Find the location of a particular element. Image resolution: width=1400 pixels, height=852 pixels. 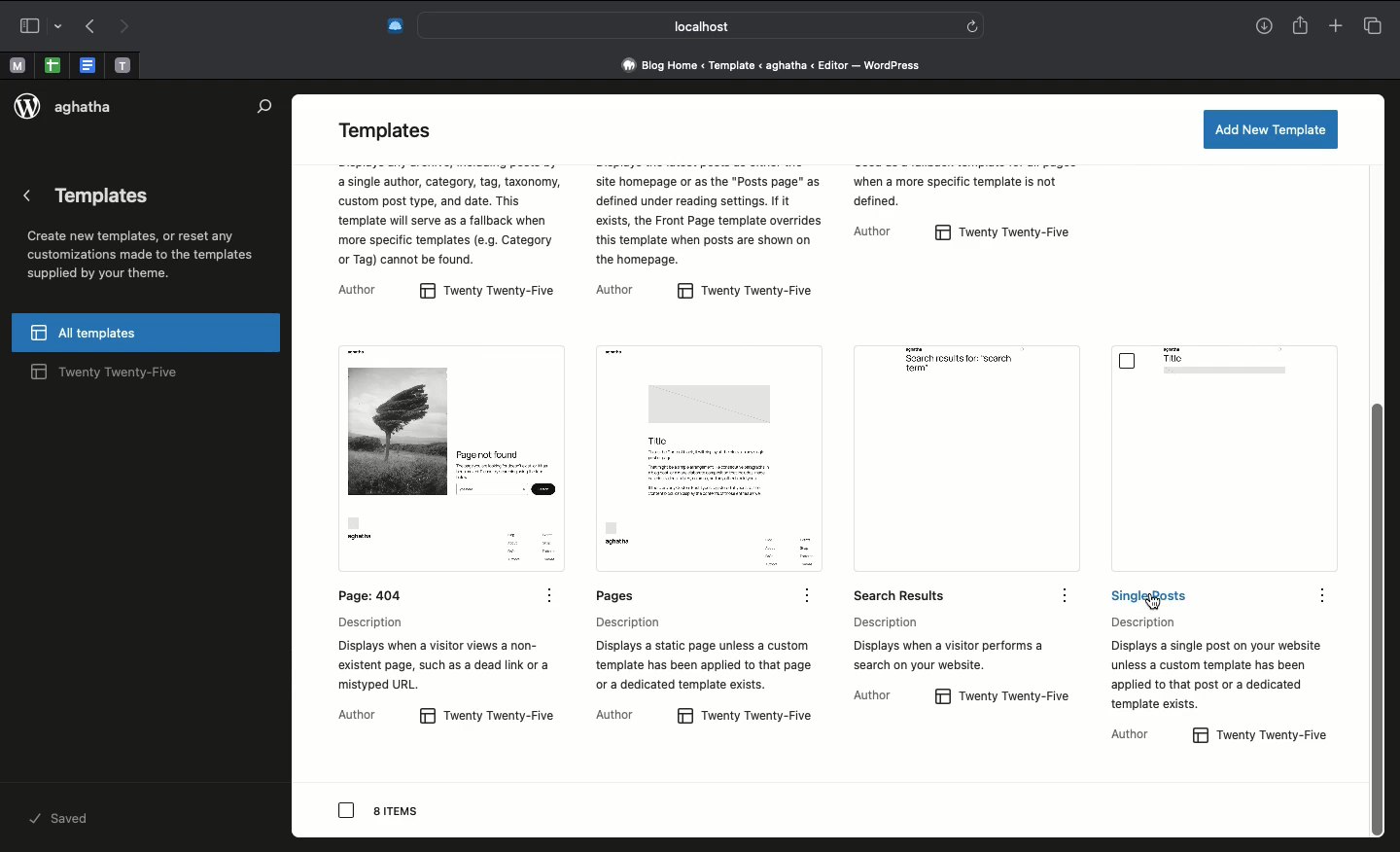

author is located at coordinates (879, 233).